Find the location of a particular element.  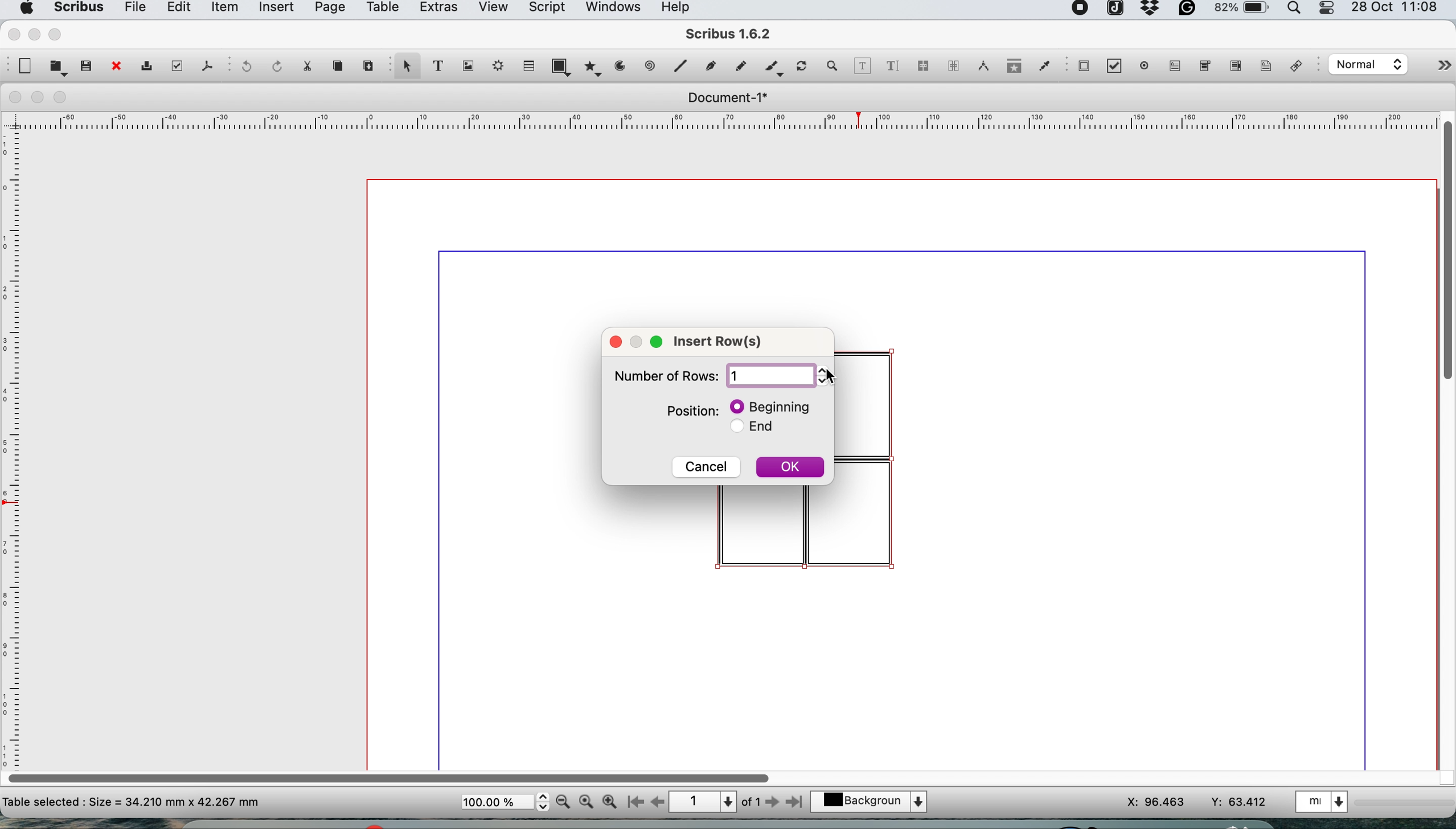

select item is located at coordinates (405, 67).